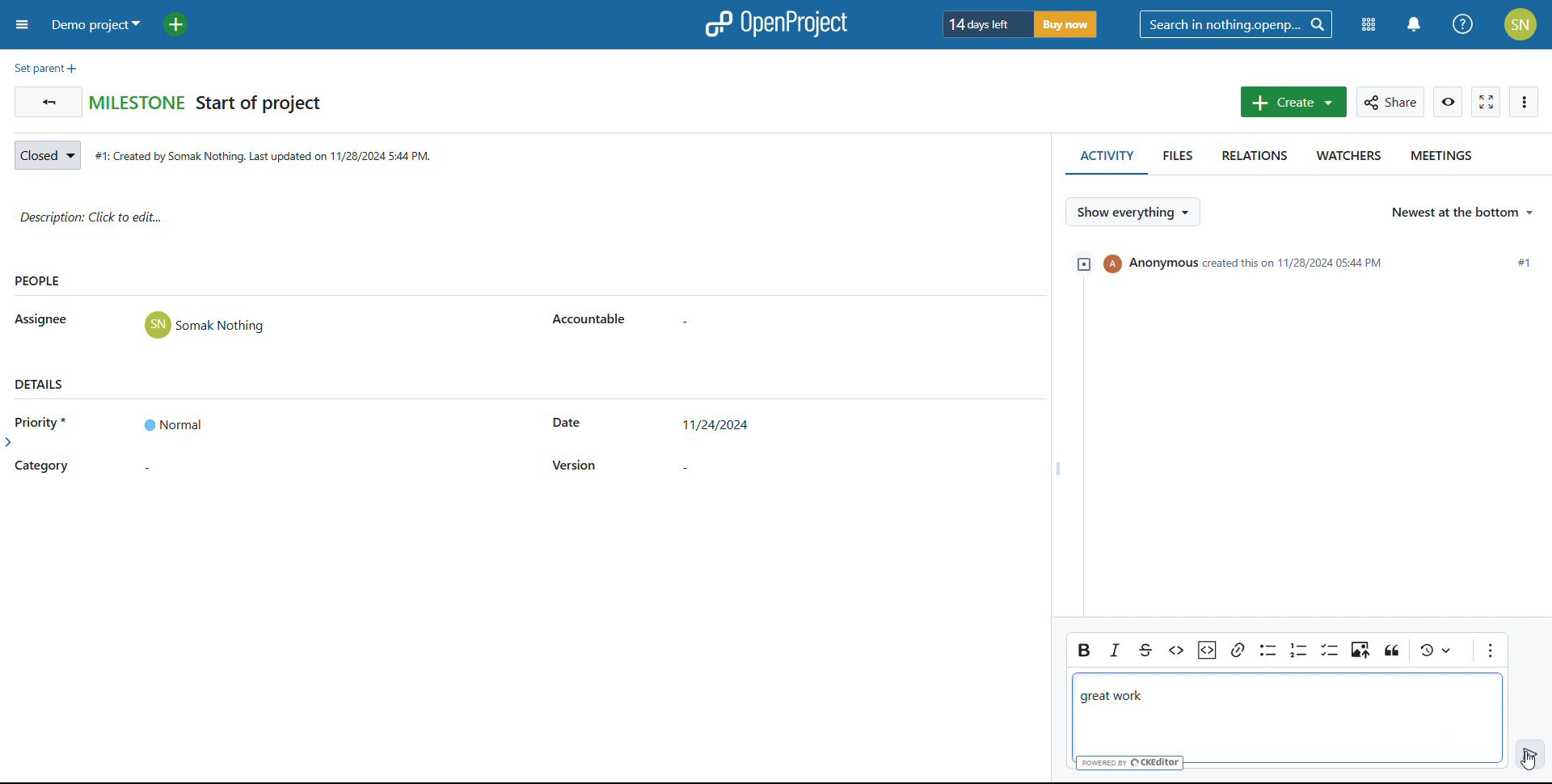 The height and width of the screenshot is (784, 1552). I want to click on priority, so click(47, 421).